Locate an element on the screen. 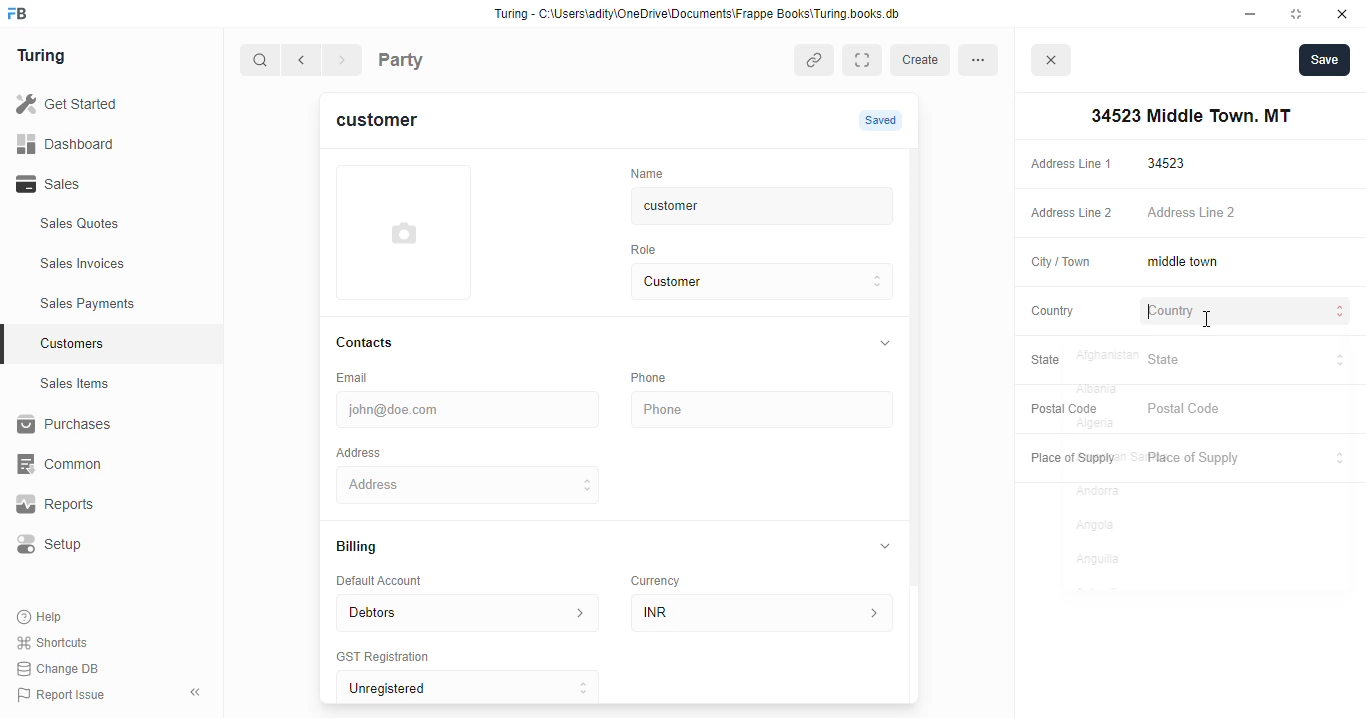  Country is located at coordinates (1248, 313).